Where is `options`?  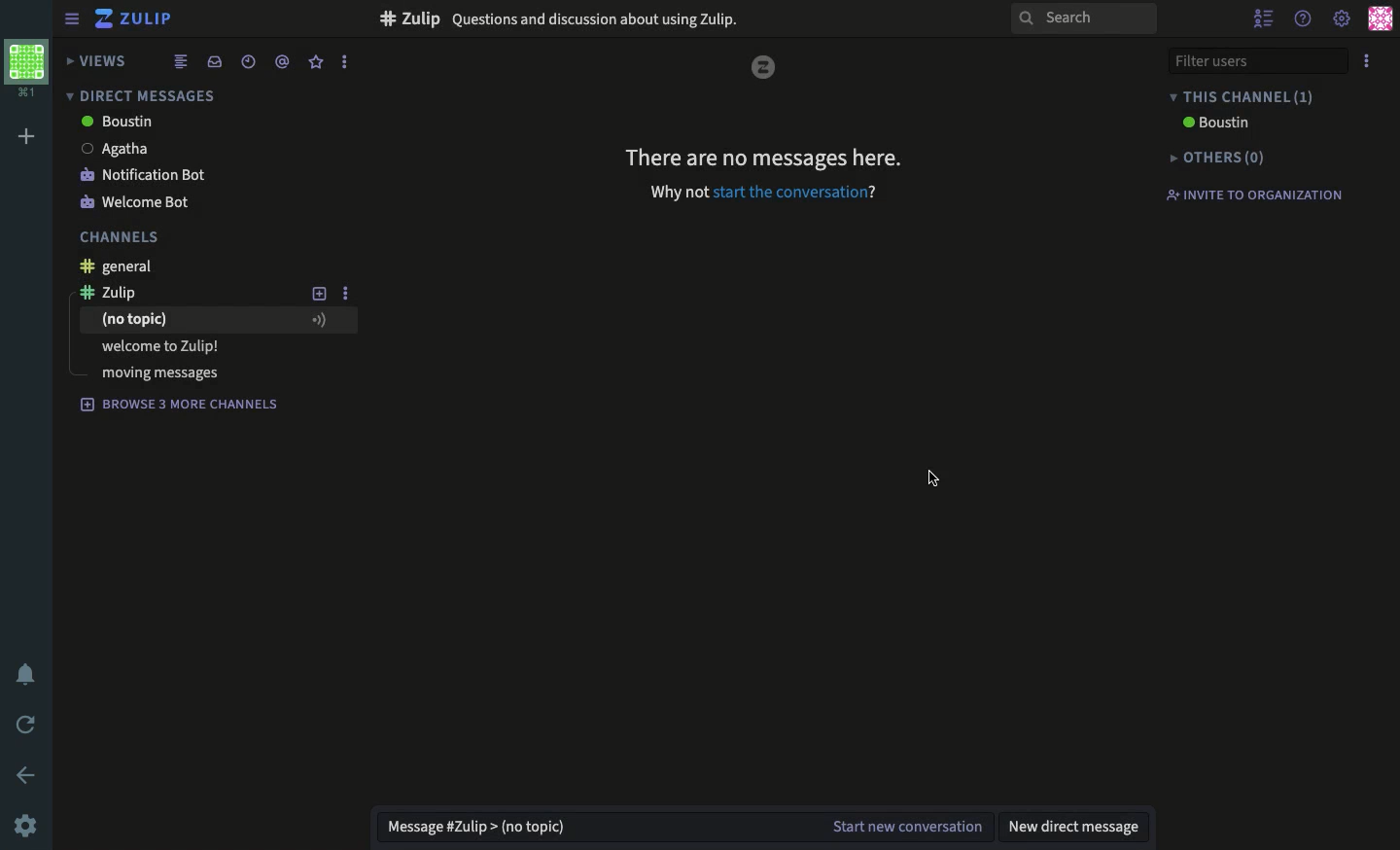 options is located at coordinates (345, 296).